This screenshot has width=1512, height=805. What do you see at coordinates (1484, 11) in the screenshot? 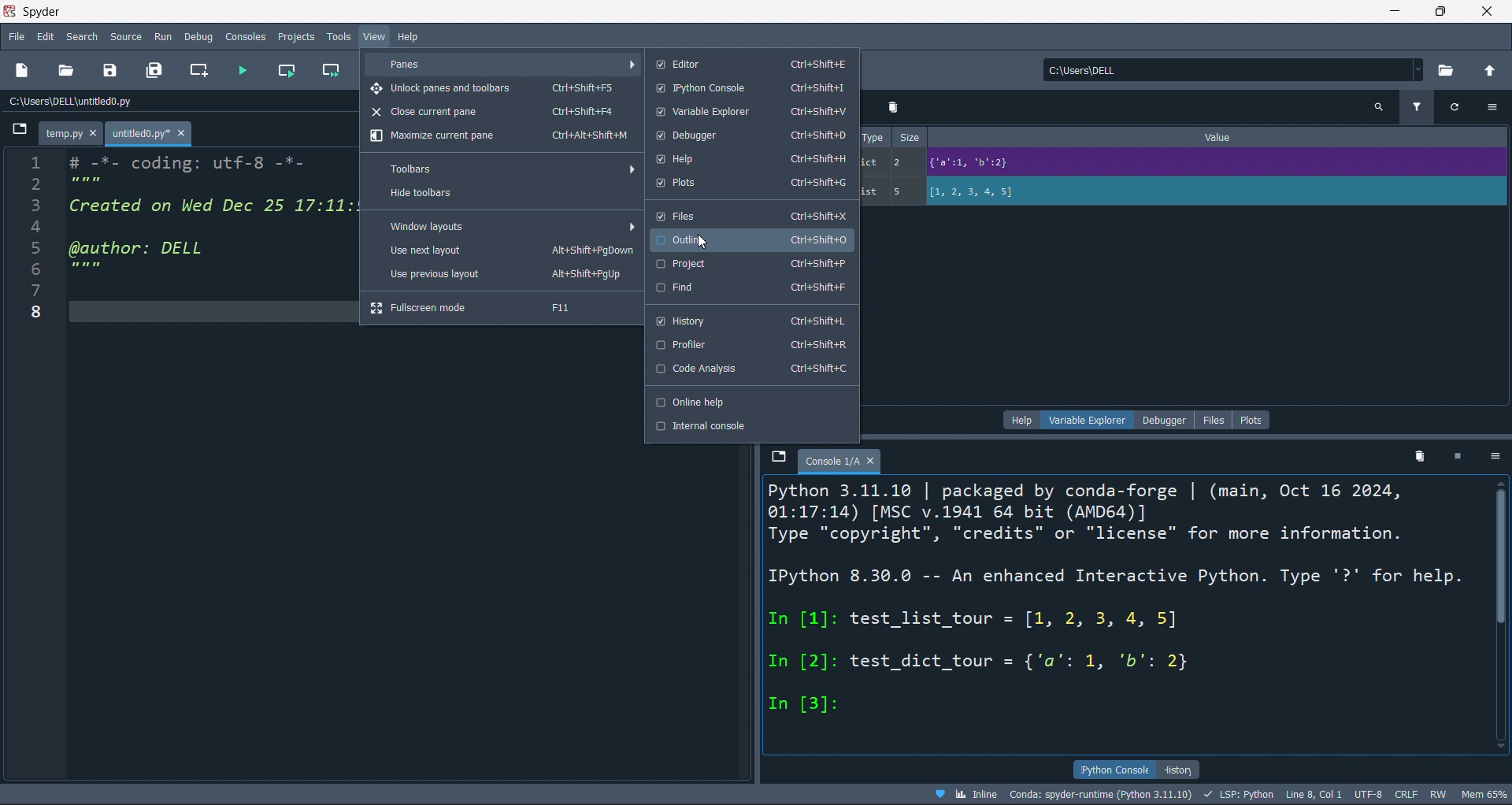
I see `close` at bounding box center [1484, 11].